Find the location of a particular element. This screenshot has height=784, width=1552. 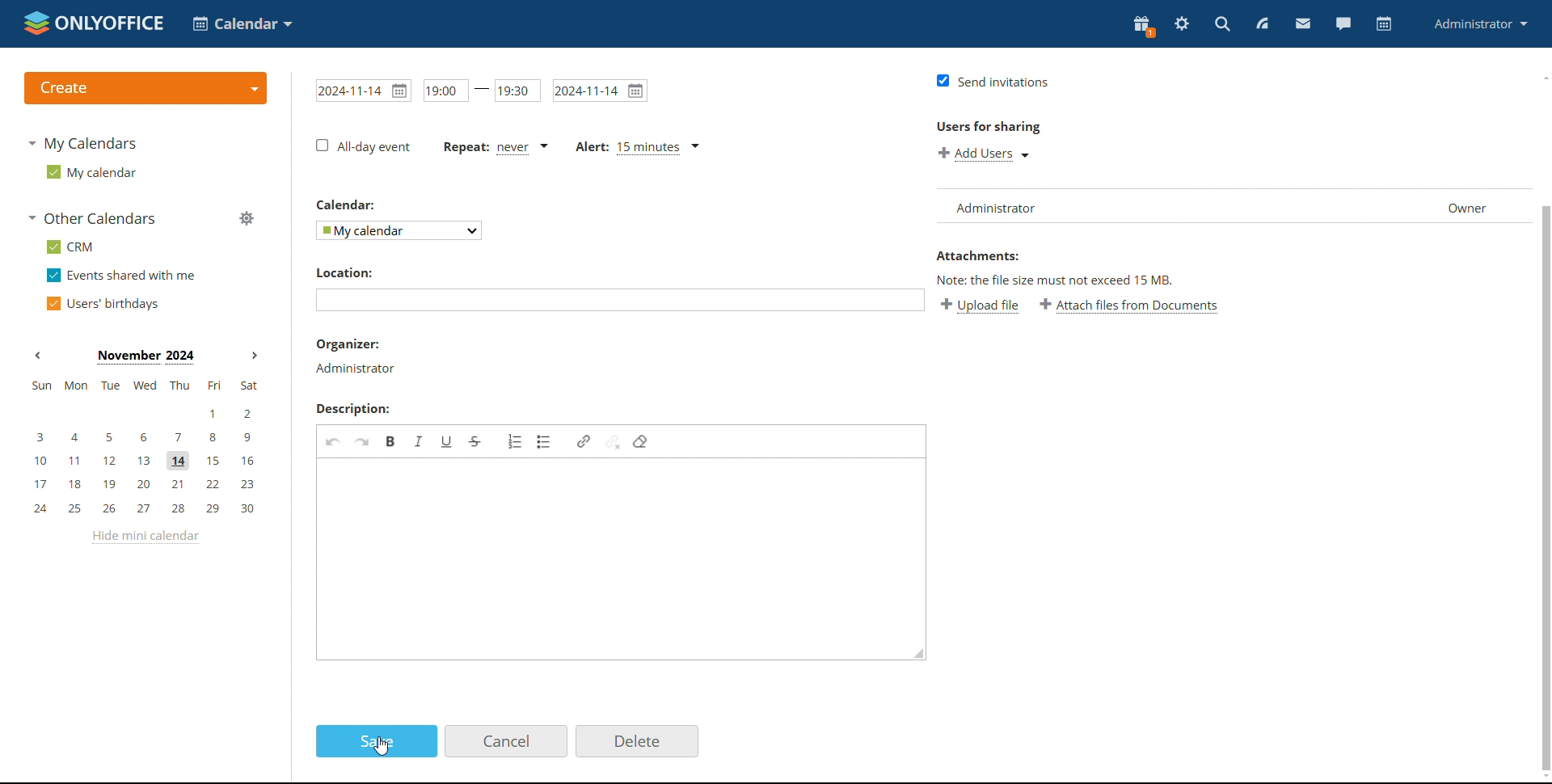

current month is located at coordinates (145, 358).